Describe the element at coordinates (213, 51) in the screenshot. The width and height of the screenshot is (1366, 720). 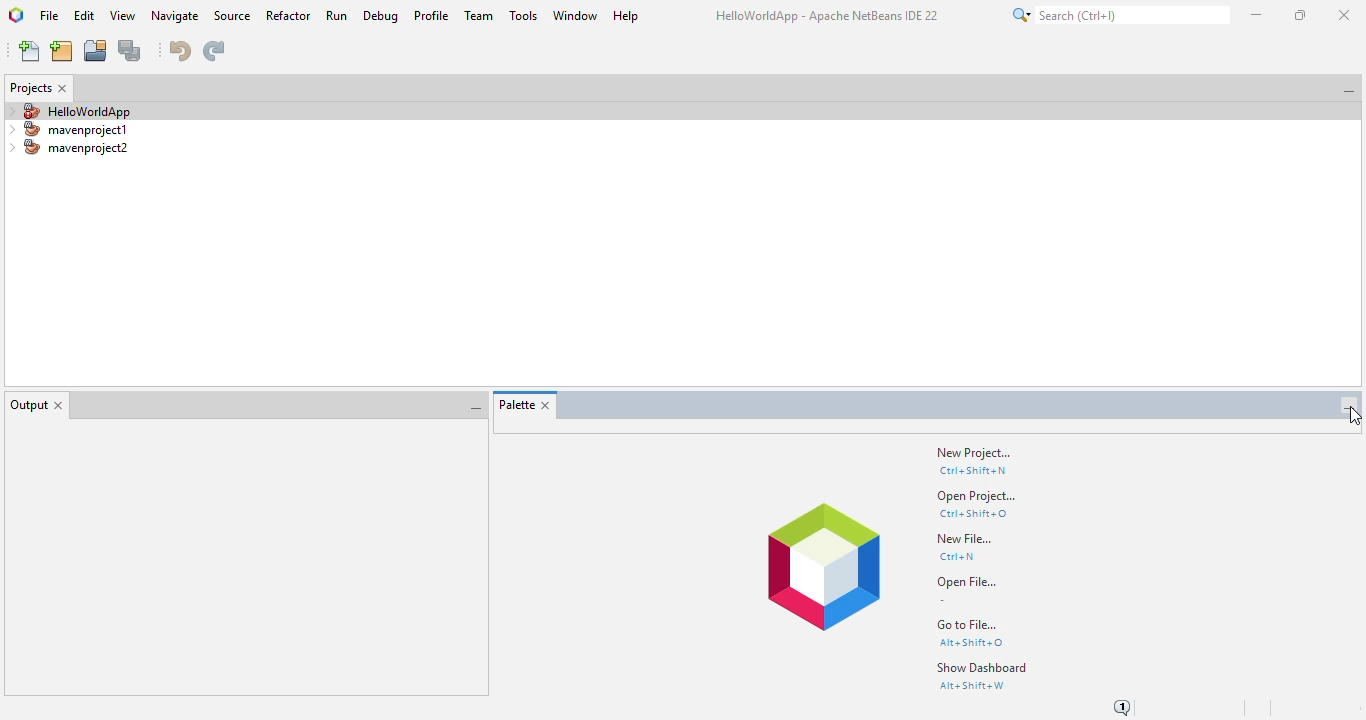
I see `redo` at that location.